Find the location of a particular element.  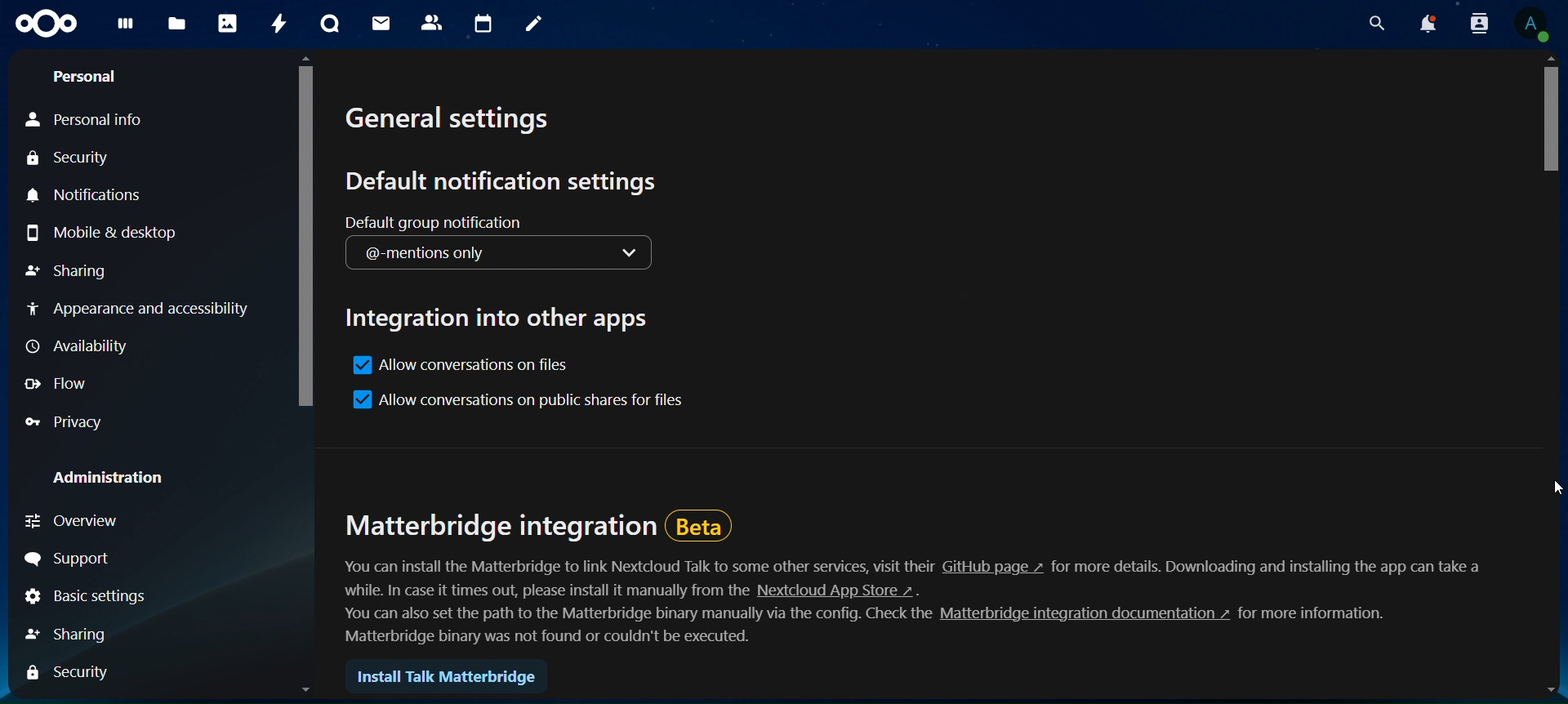

security is located at coordinates (72, 159).